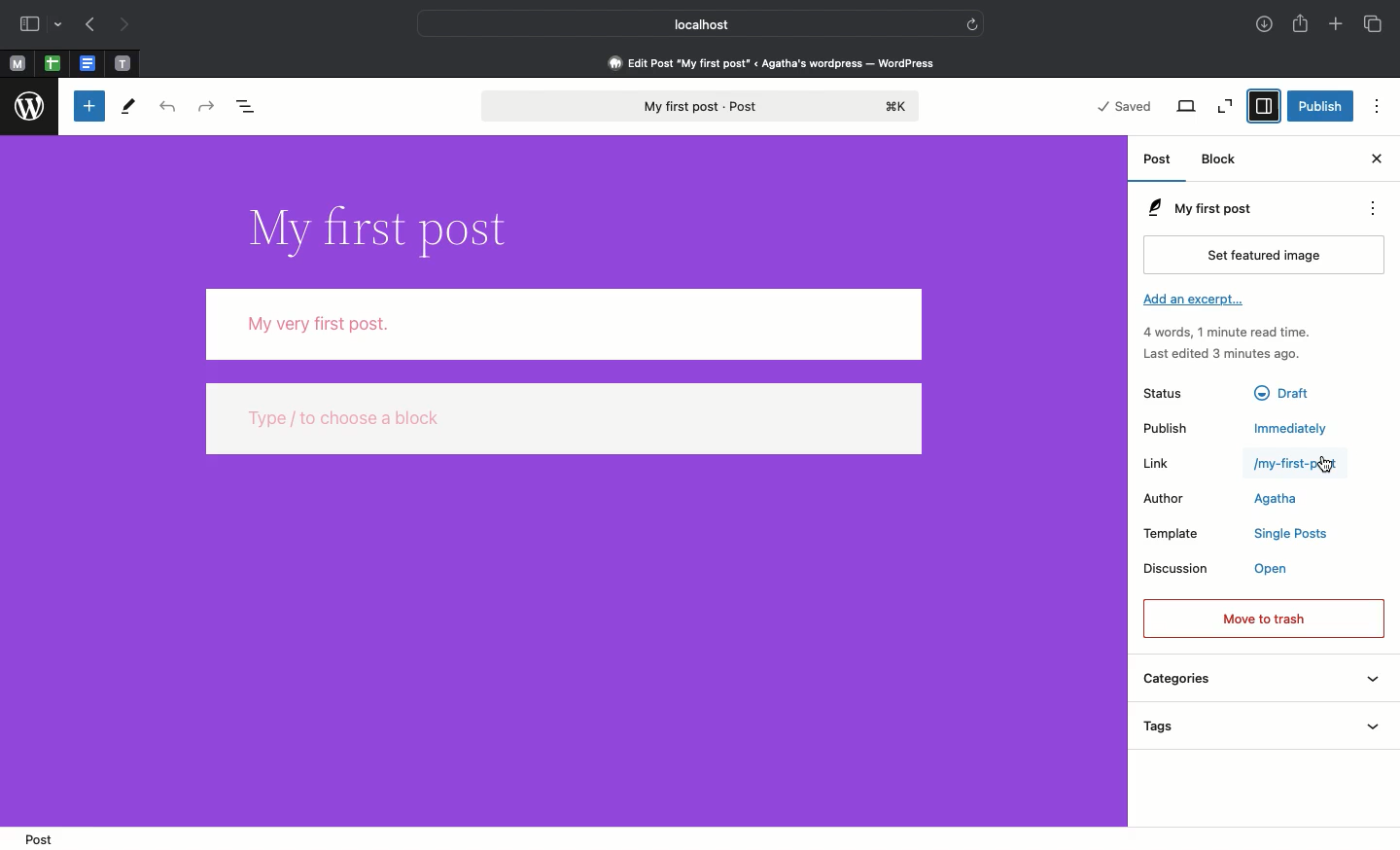 Image resolution: width=1400 pixels, height=850 pixels. I want to click on Categories, so click(1261, 680).